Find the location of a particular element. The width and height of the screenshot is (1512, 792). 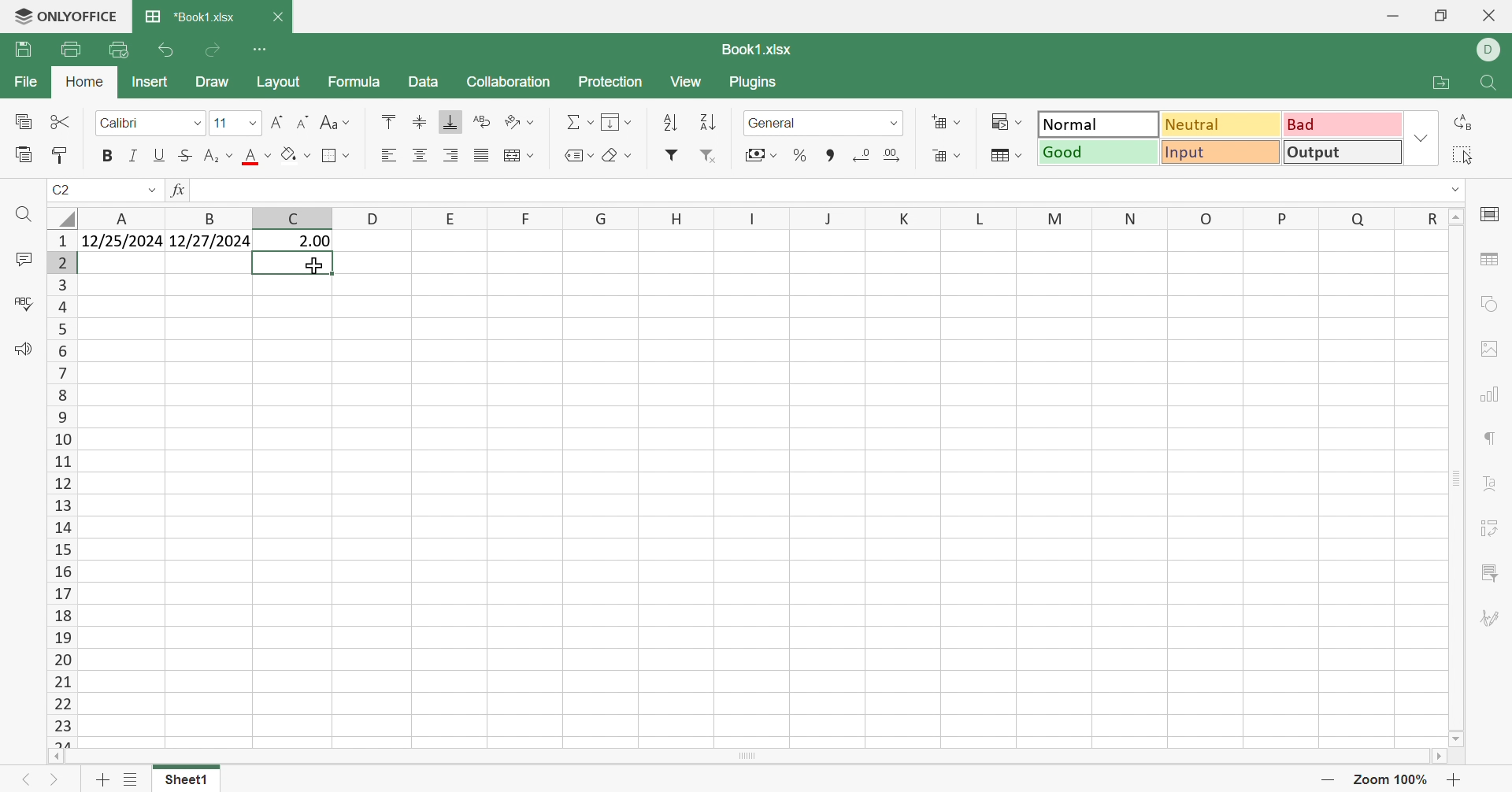

Italic is located at coordinates (134, 155).